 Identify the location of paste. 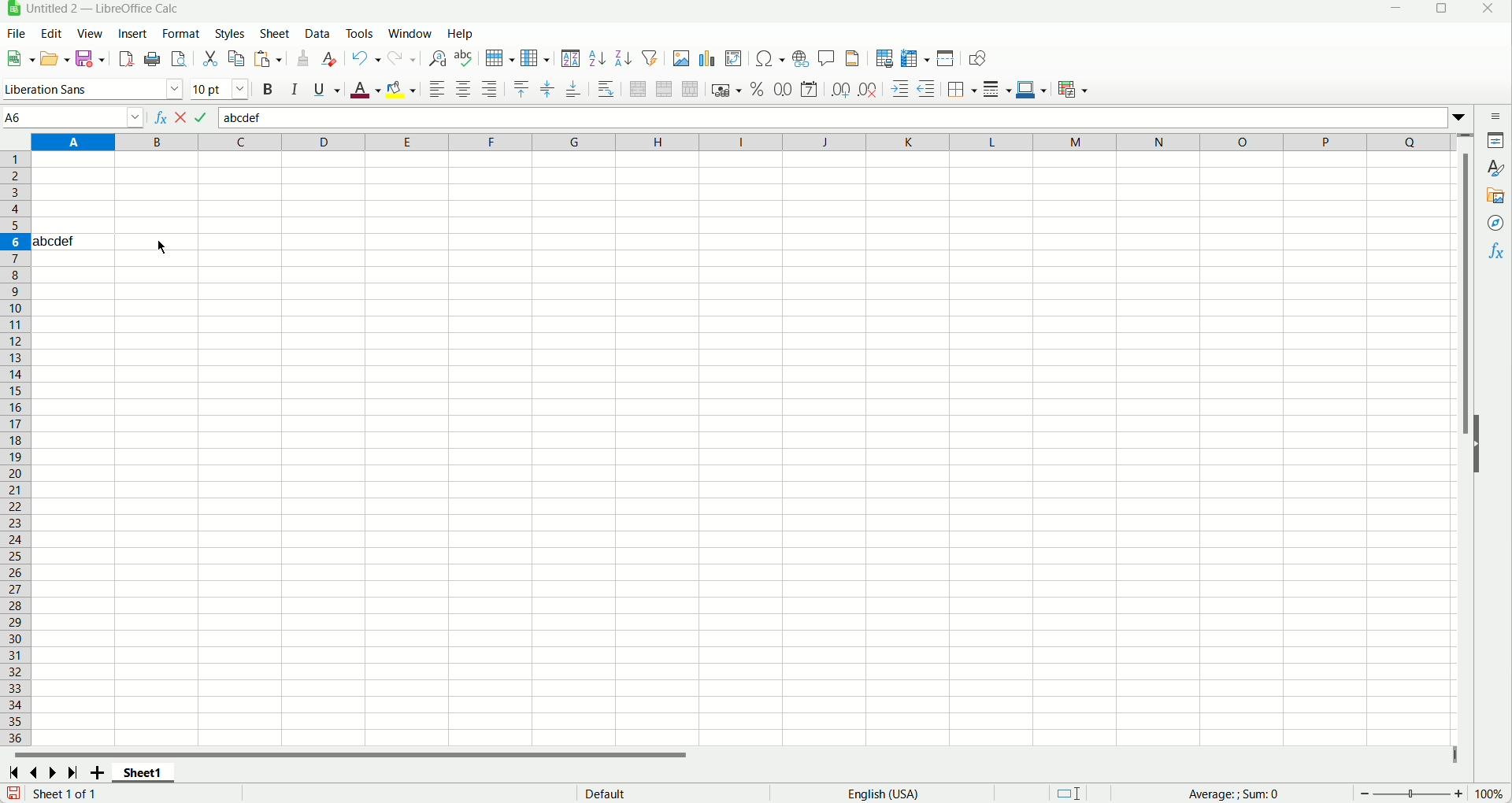
(268, 58).